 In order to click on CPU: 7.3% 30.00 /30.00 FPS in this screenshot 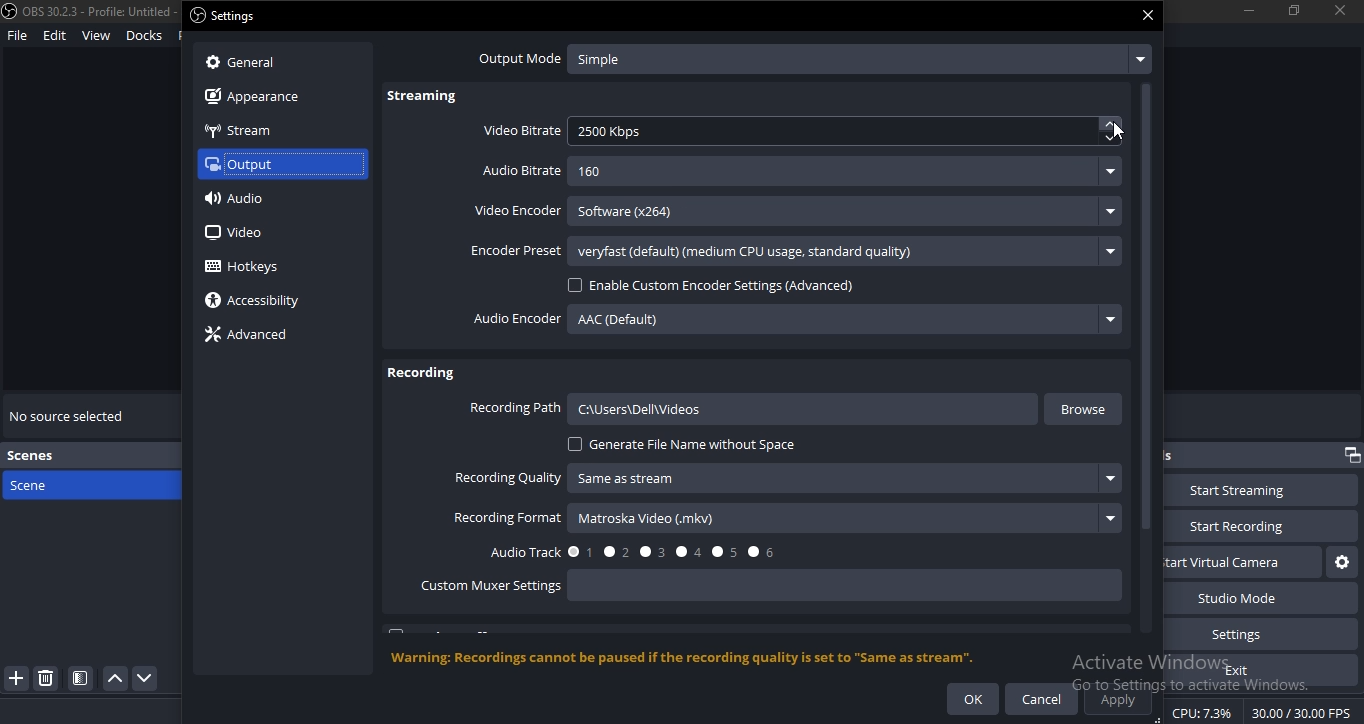, I will do `click(1264, 713)`.